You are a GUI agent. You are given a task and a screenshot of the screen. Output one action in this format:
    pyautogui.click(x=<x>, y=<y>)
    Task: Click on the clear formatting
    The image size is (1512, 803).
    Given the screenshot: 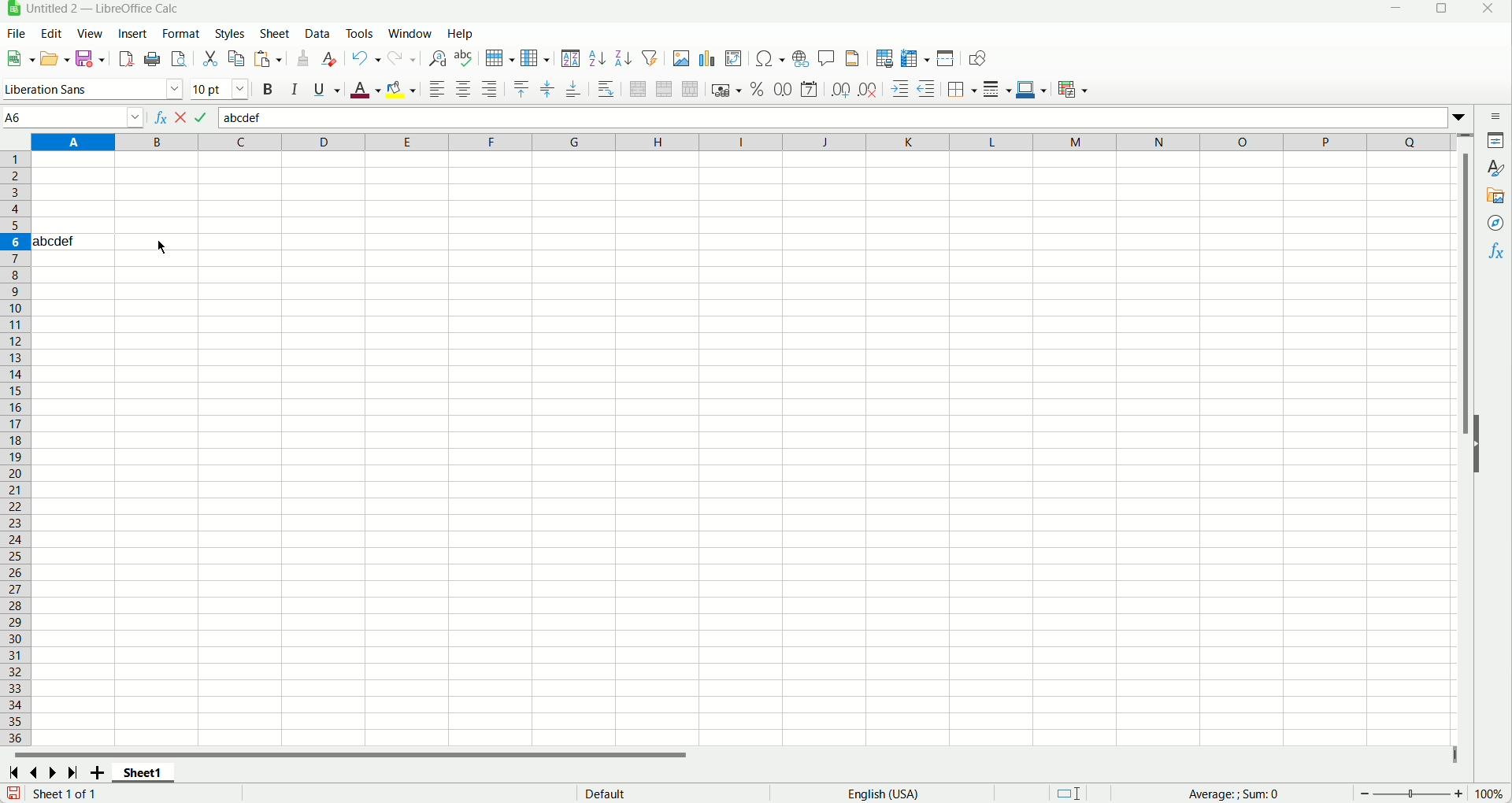 What is the action you would take?
    pyautogui.click(x=332, y=59)
    